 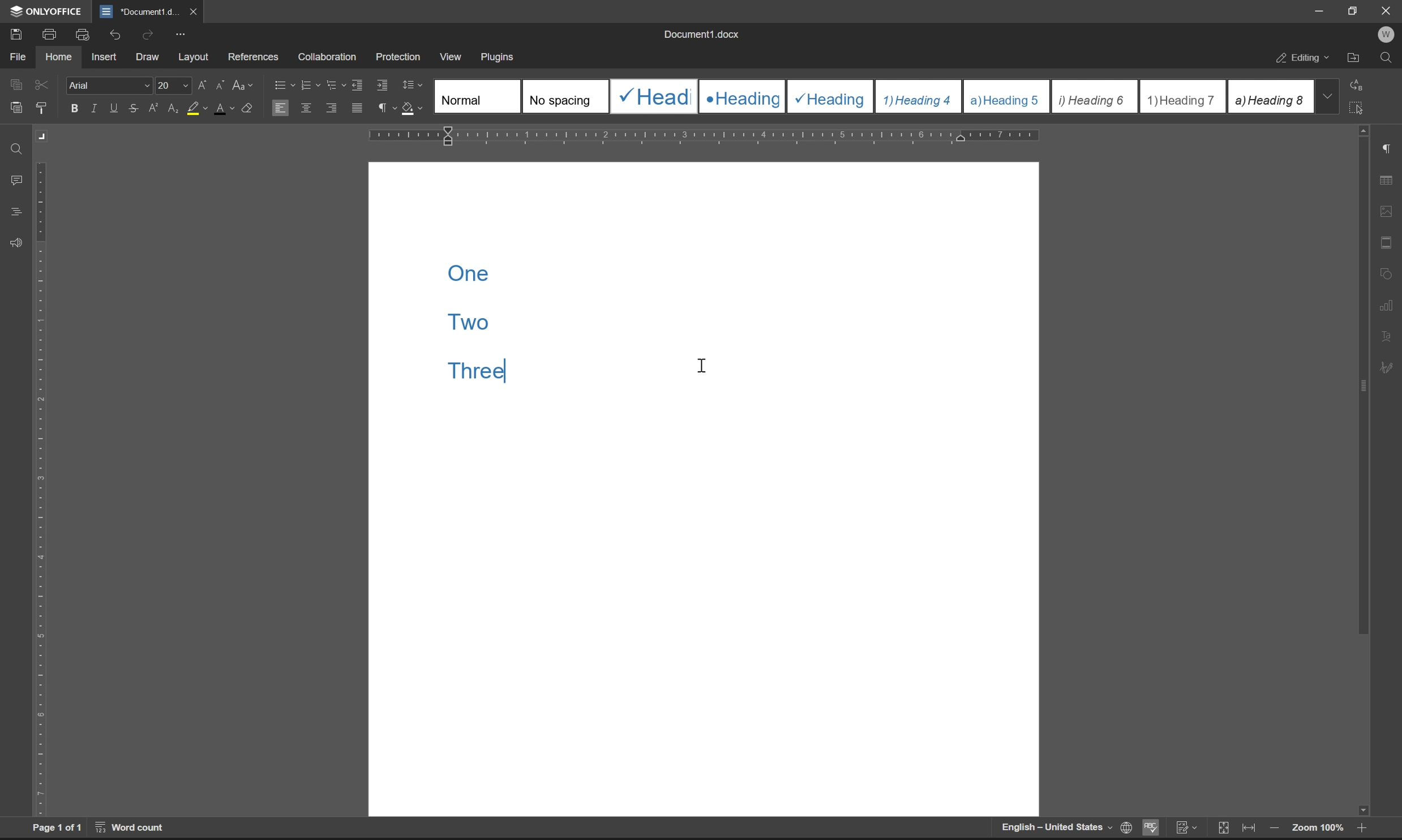 What do you see at coordinates (1390, 368) in the screenshot?
I see `signature settings` at bounding box center [1390, 368].